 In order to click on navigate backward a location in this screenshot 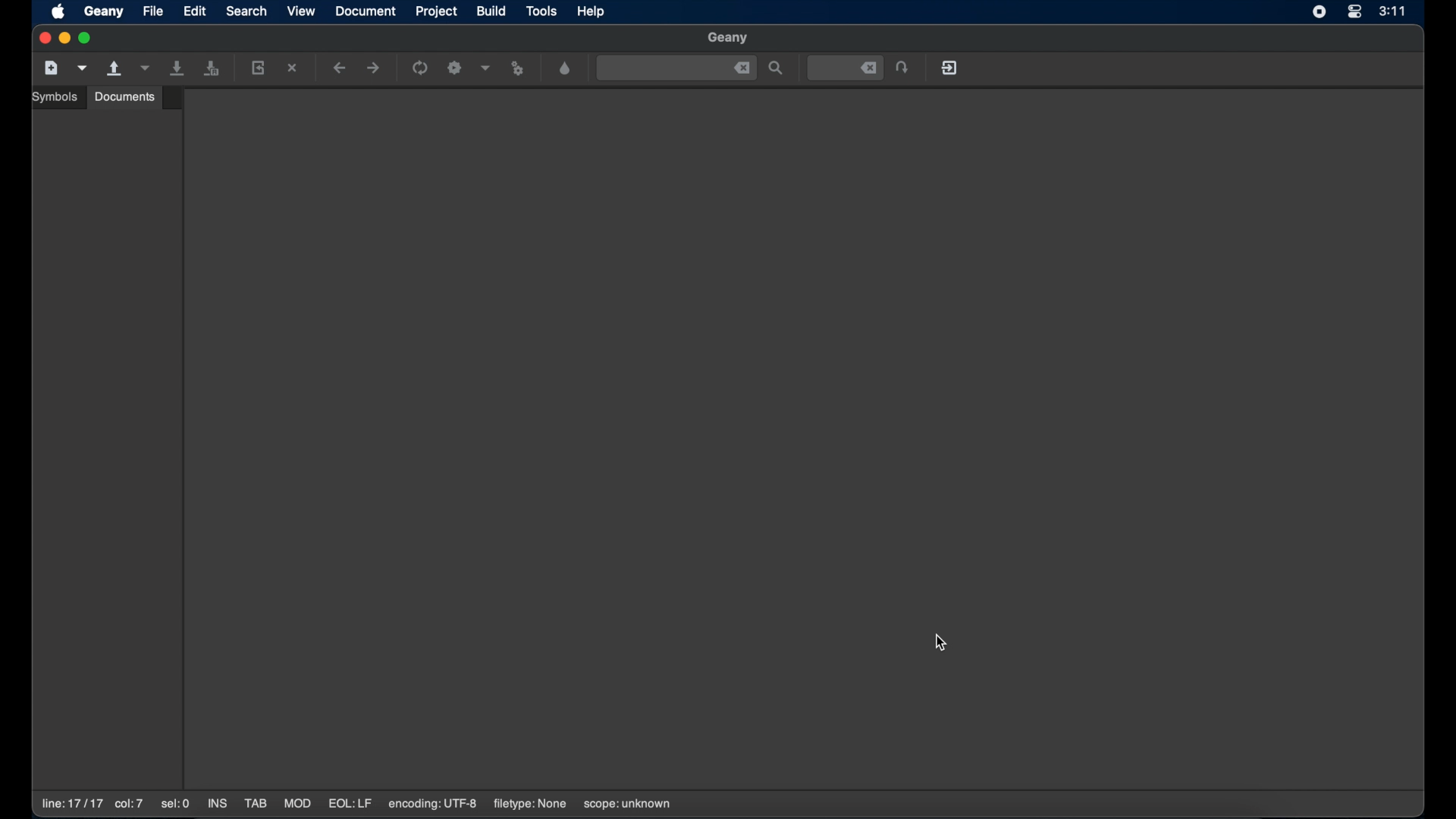, I will do `click(340, 69)`.